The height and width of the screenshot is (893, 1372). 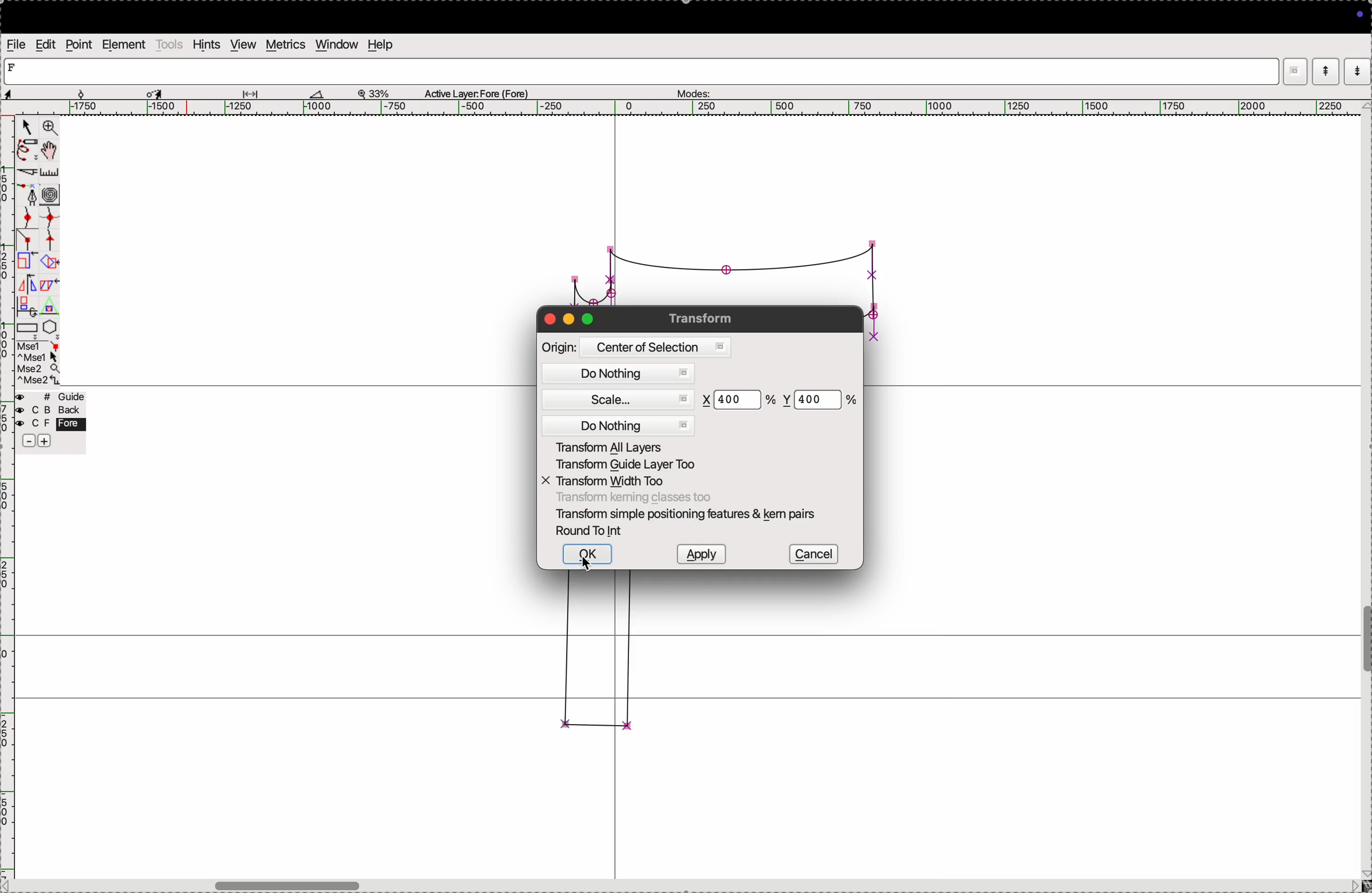 What do you see at coordinates (620, 425) in the screenshot?
I see `do nothing` at bounding box center [620, 425].